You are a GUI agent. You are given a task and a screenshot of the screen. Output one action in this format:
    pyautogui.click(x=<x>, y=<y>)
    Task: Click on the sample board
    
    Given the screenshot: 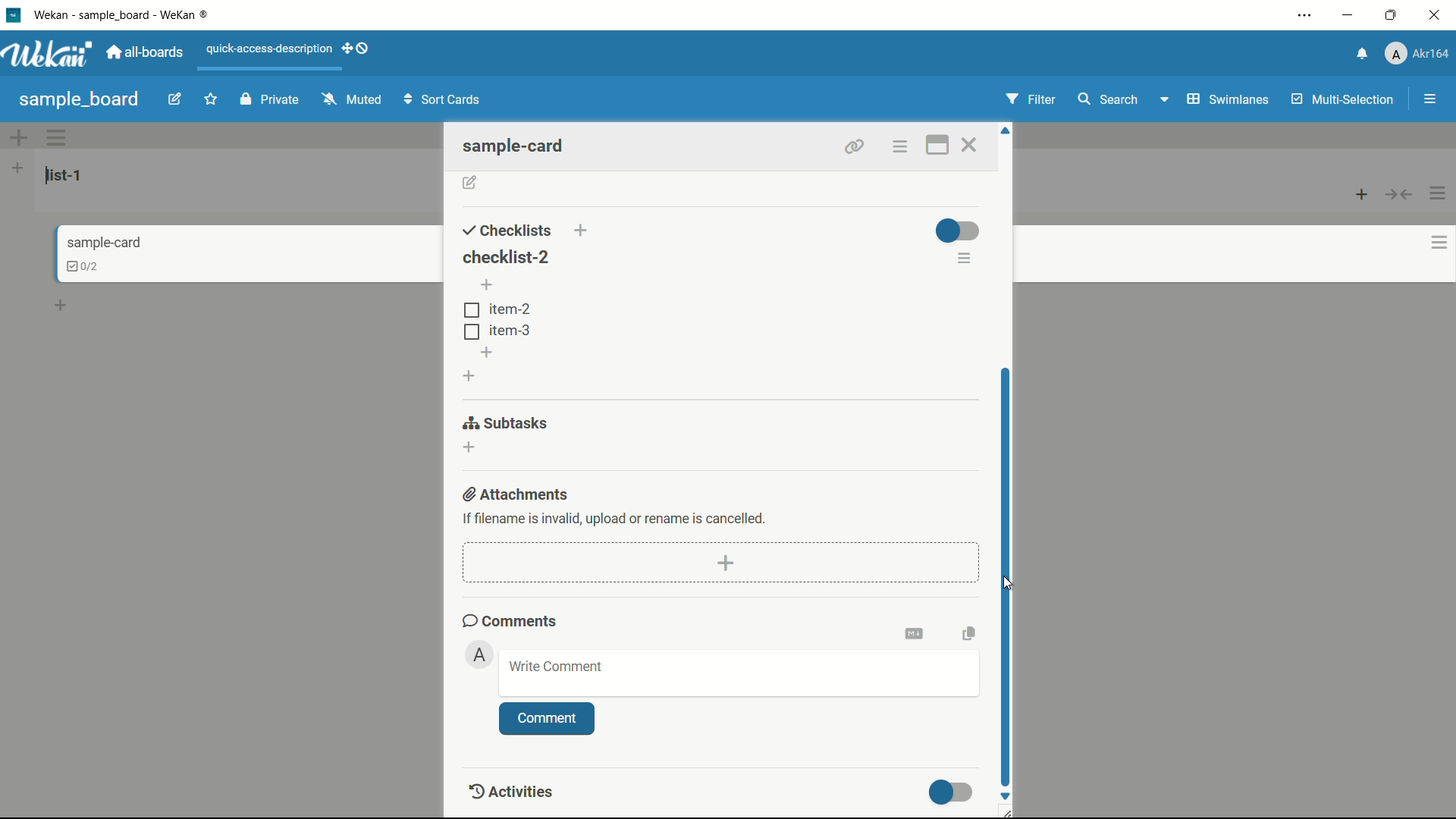 What is the action you would take?
    pyautogui.click(x=79, y=99)
    